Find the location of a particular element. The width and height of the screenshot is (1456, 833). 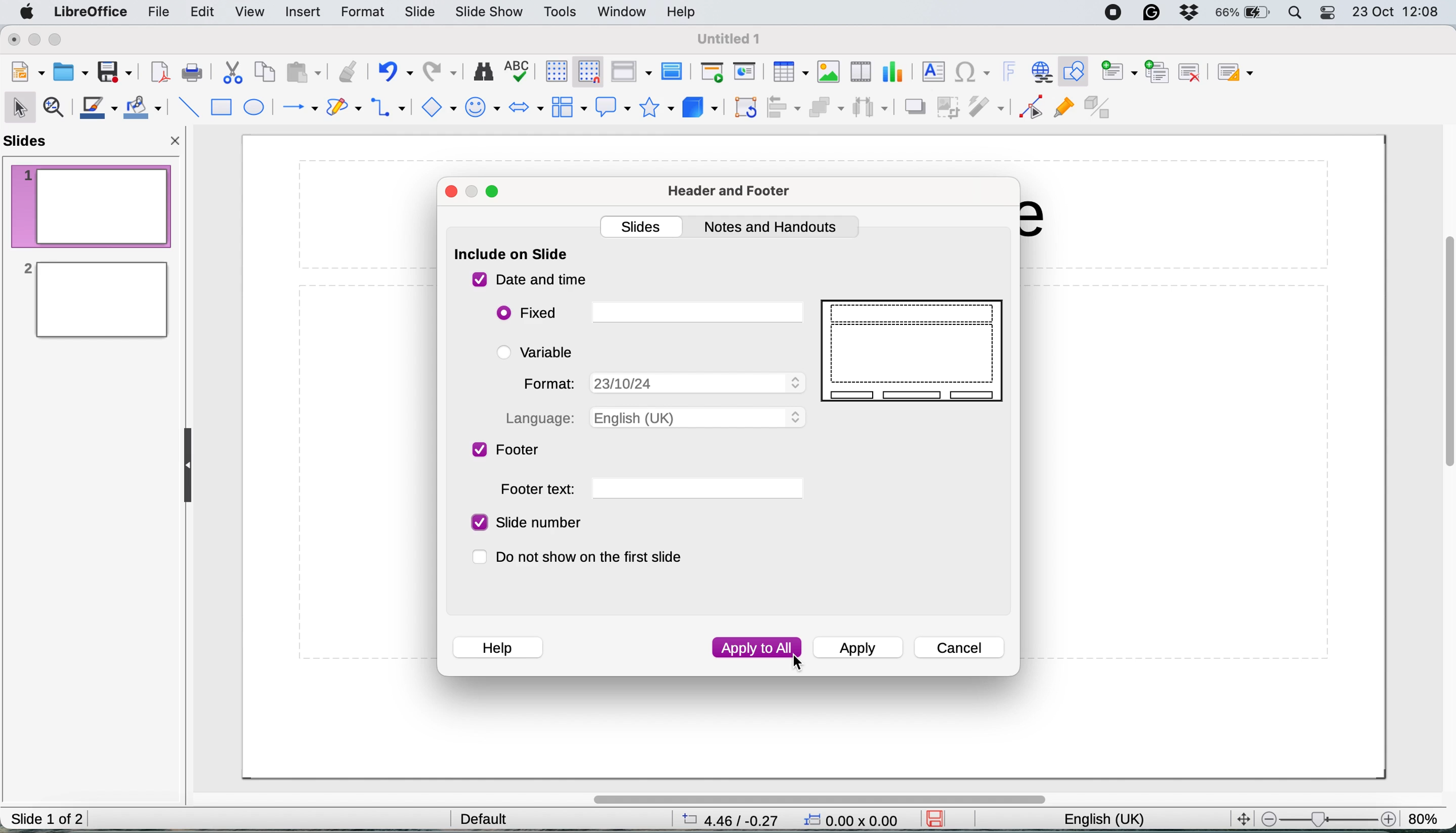

close is located at coordinates (177, 144).